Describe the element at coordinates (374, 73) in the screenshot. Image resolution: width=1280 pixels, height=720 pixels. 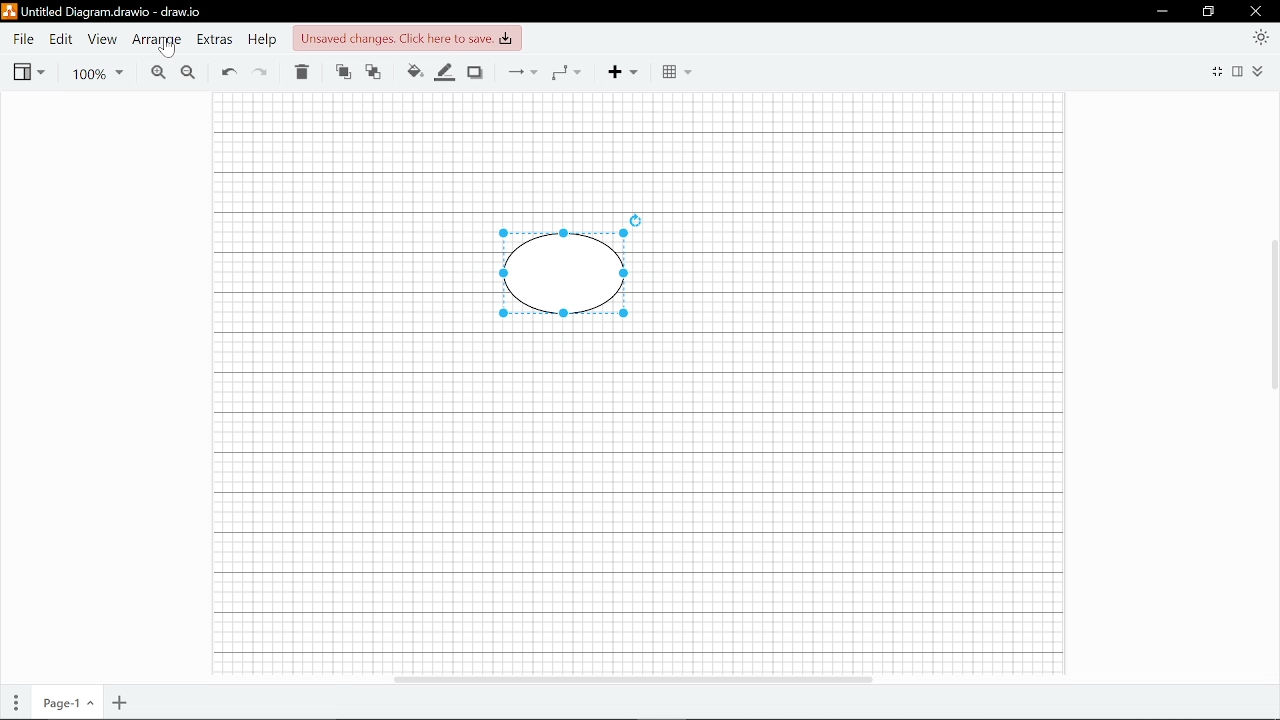
I see `To back` at that location.